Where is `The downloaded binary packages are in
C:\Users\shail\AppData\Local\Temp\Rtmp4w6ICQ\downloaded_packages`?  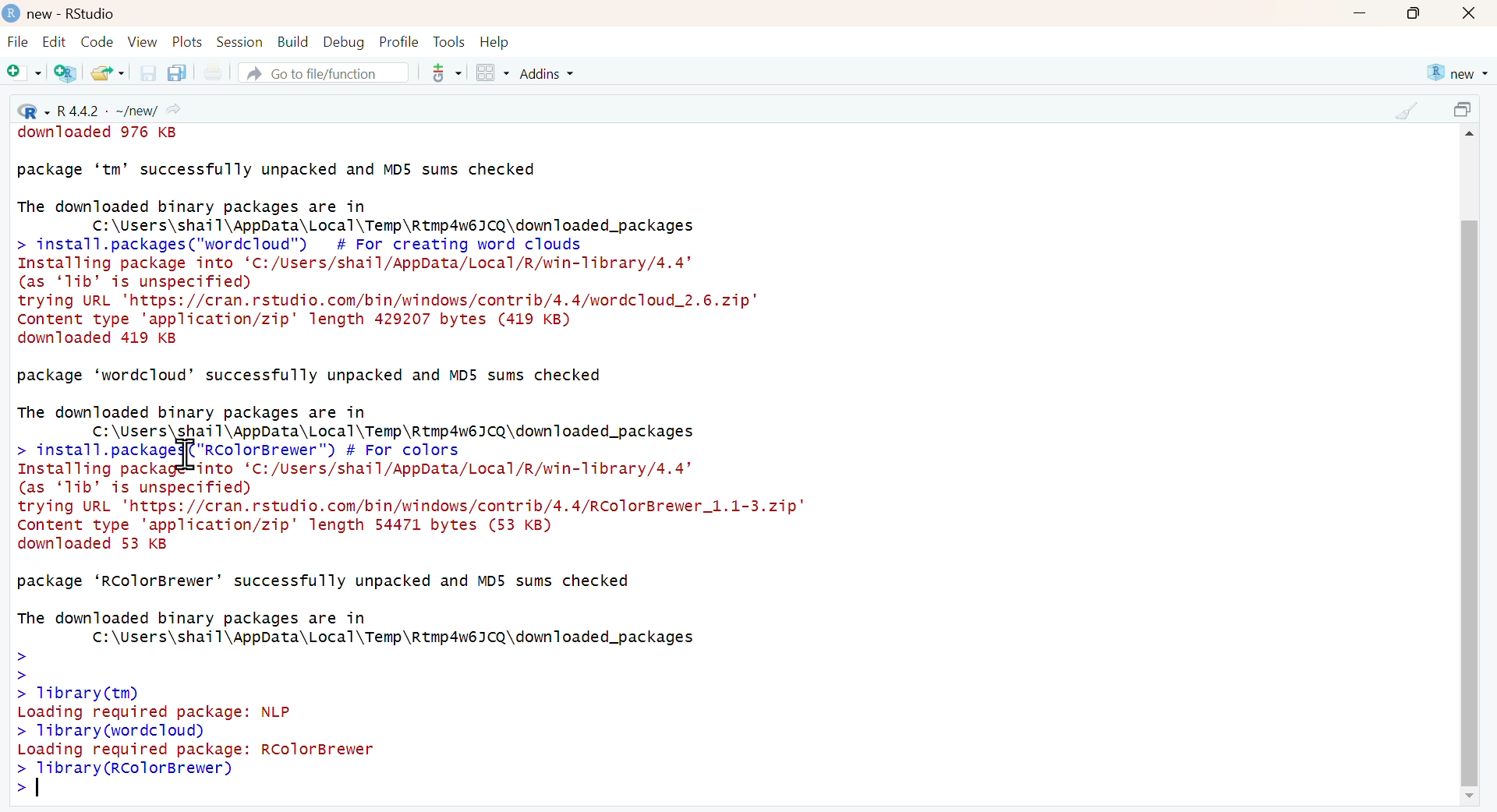 The downloaded binary packages are in
C:\Users\shail\AppData\Local\Temp\Rtmp4w6ICQ\downloaded_packages is located at coordinates (359, 629).